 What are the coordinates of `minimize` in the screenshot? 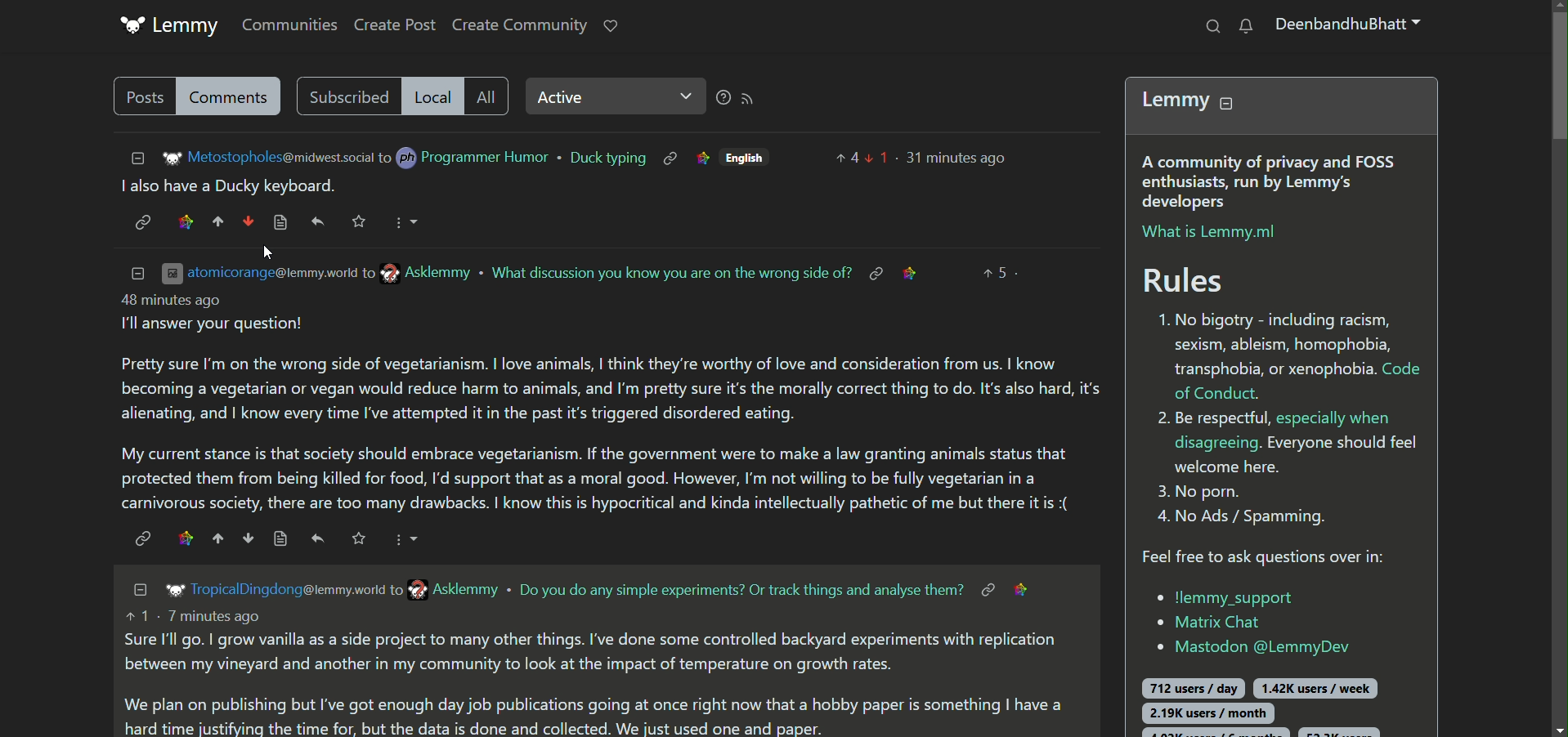 It's located at (137, 271).